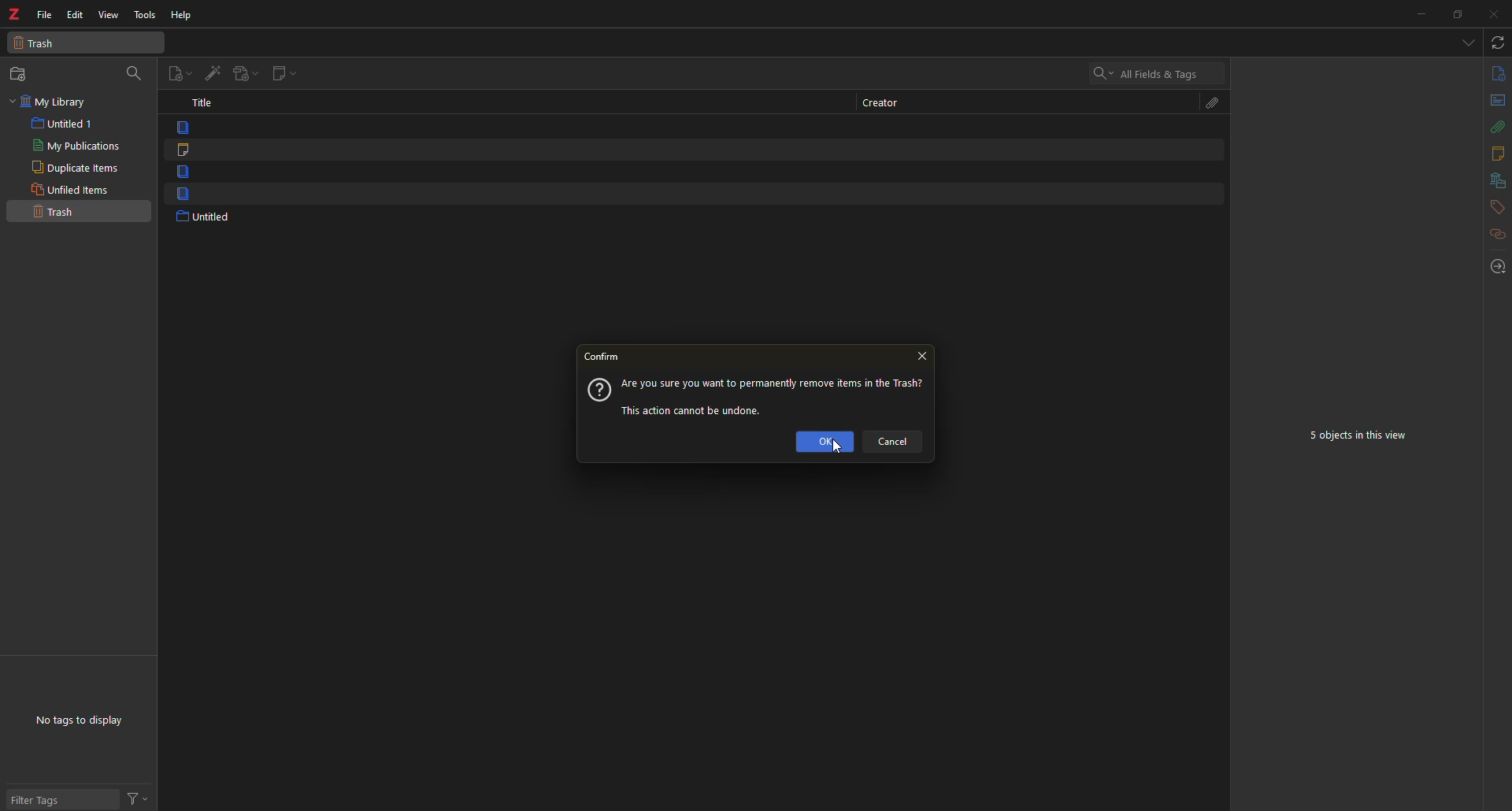  I want to click on trash, so click(58, 212).